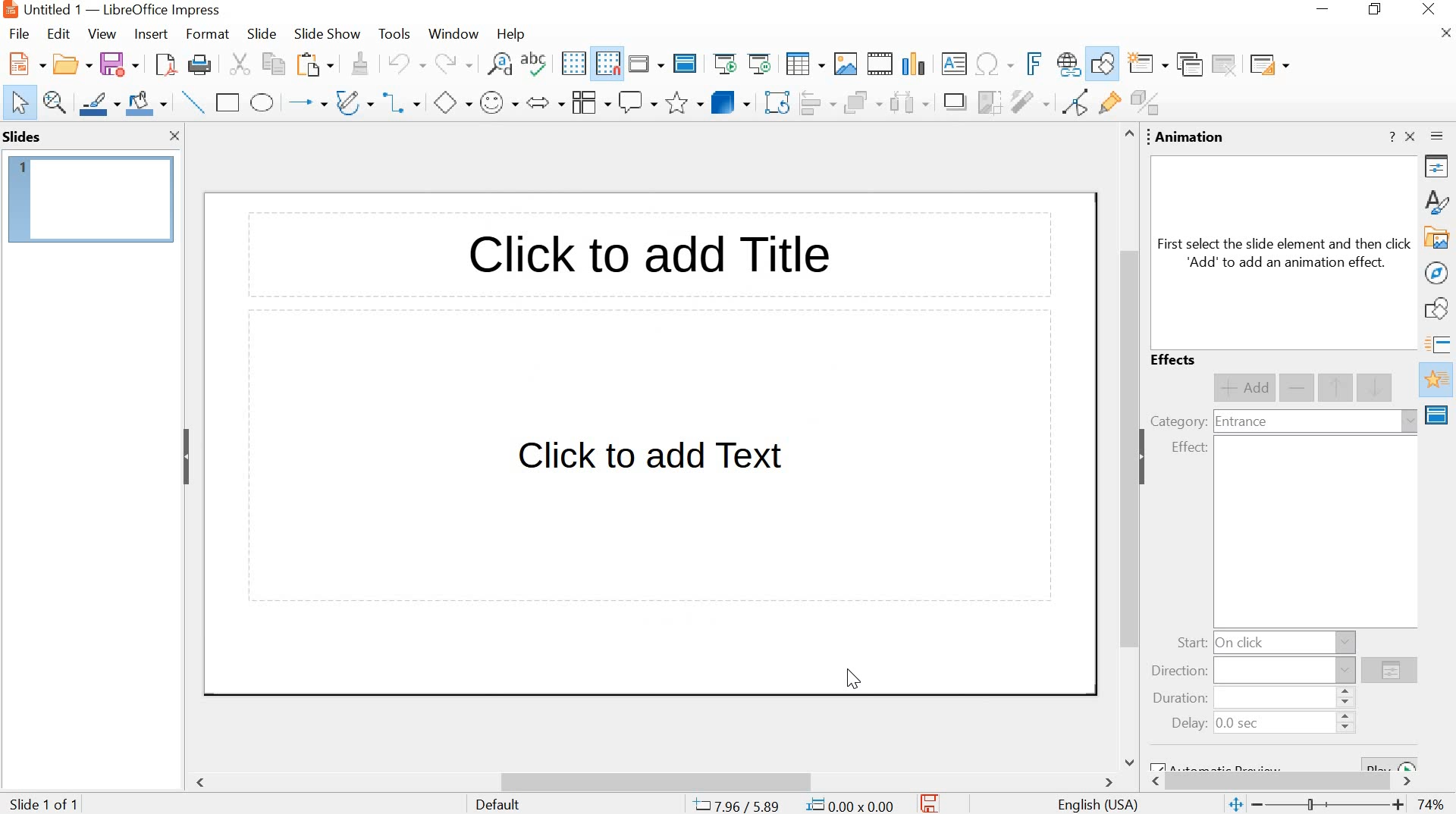 The height and width of the screenshot is (814, 1456). Describe the element at coordinates (1438, 239) in the screenshot. I see `gallery` at that location.